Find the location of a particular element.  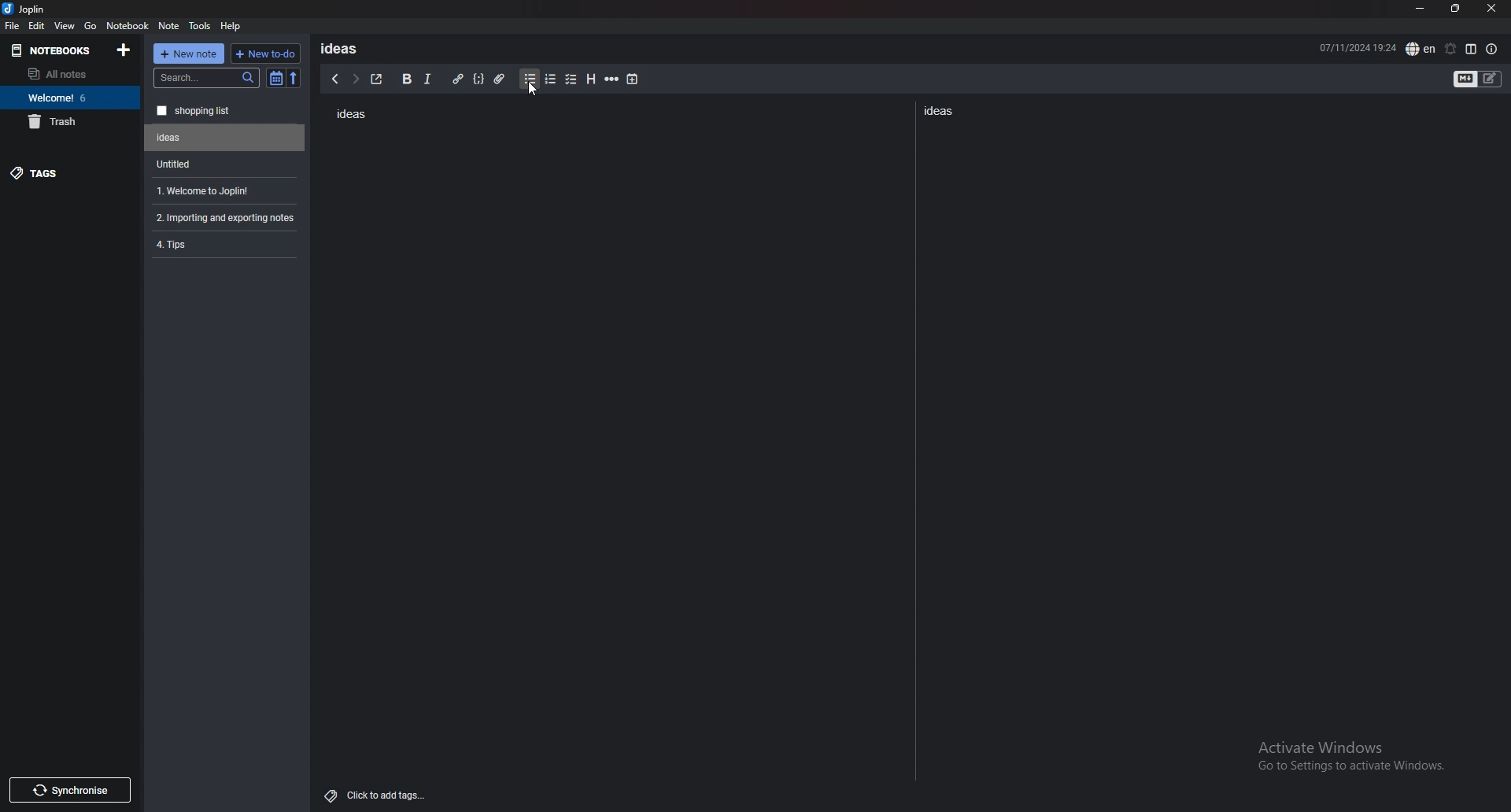

next is located at coordinates (355, 79).